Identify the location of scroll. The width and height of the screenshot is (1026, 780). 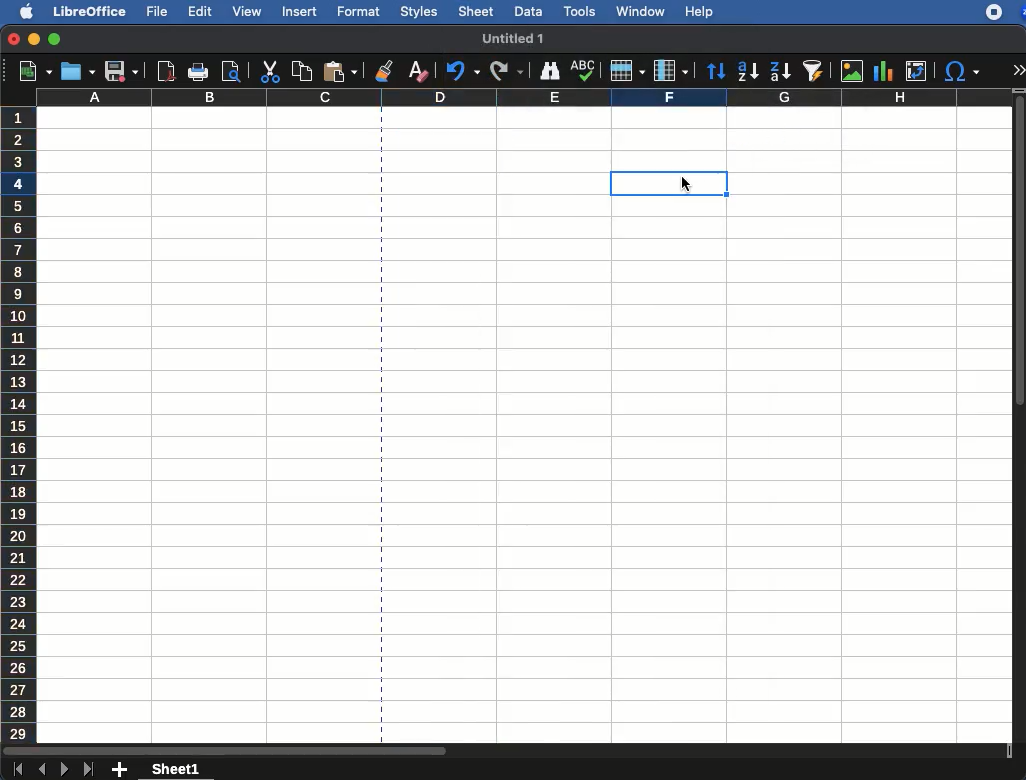
(1020, 424).